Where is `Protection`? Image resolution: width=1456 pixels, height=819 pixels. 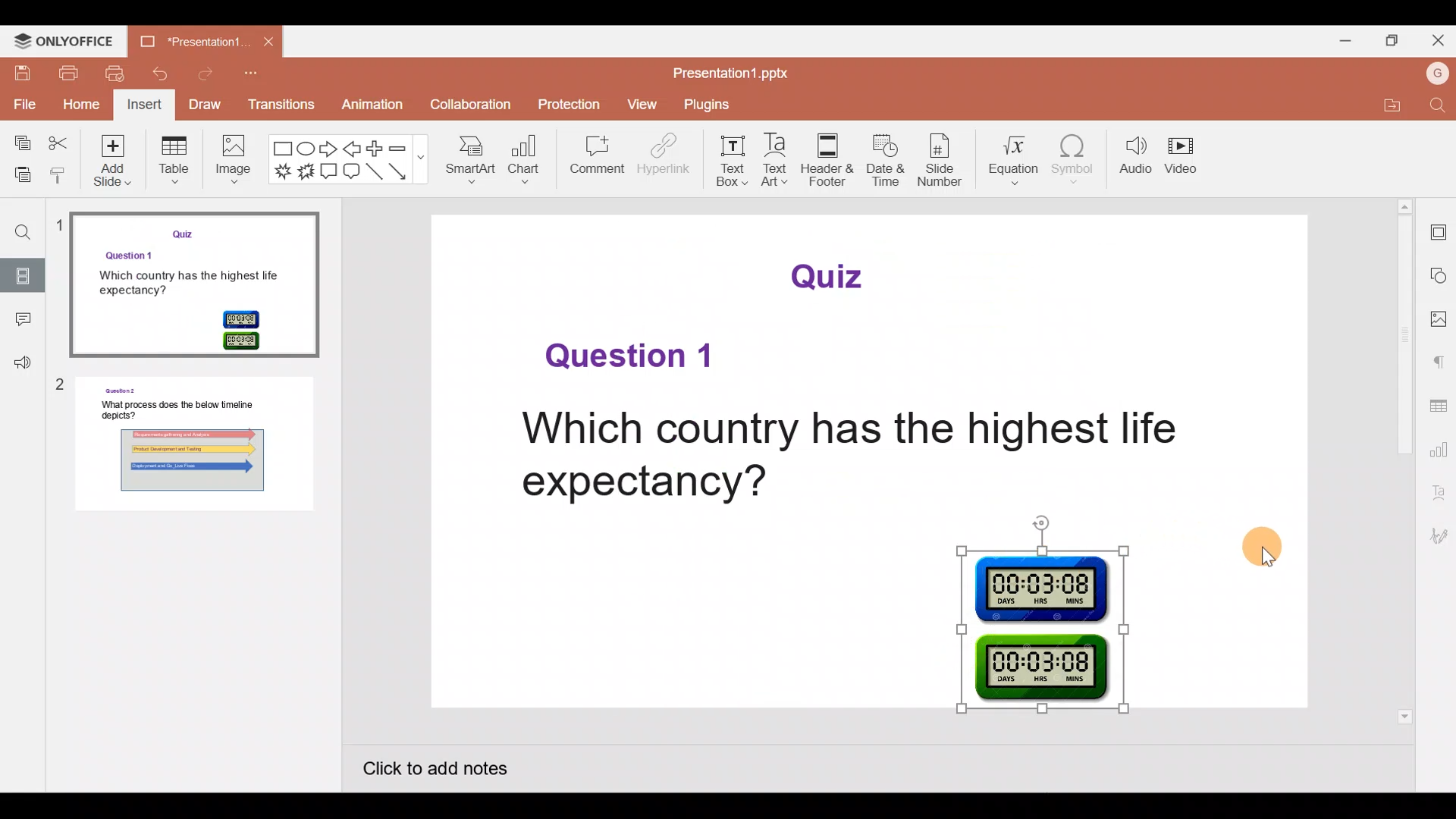 Protection is located at coordinates (569, 104).